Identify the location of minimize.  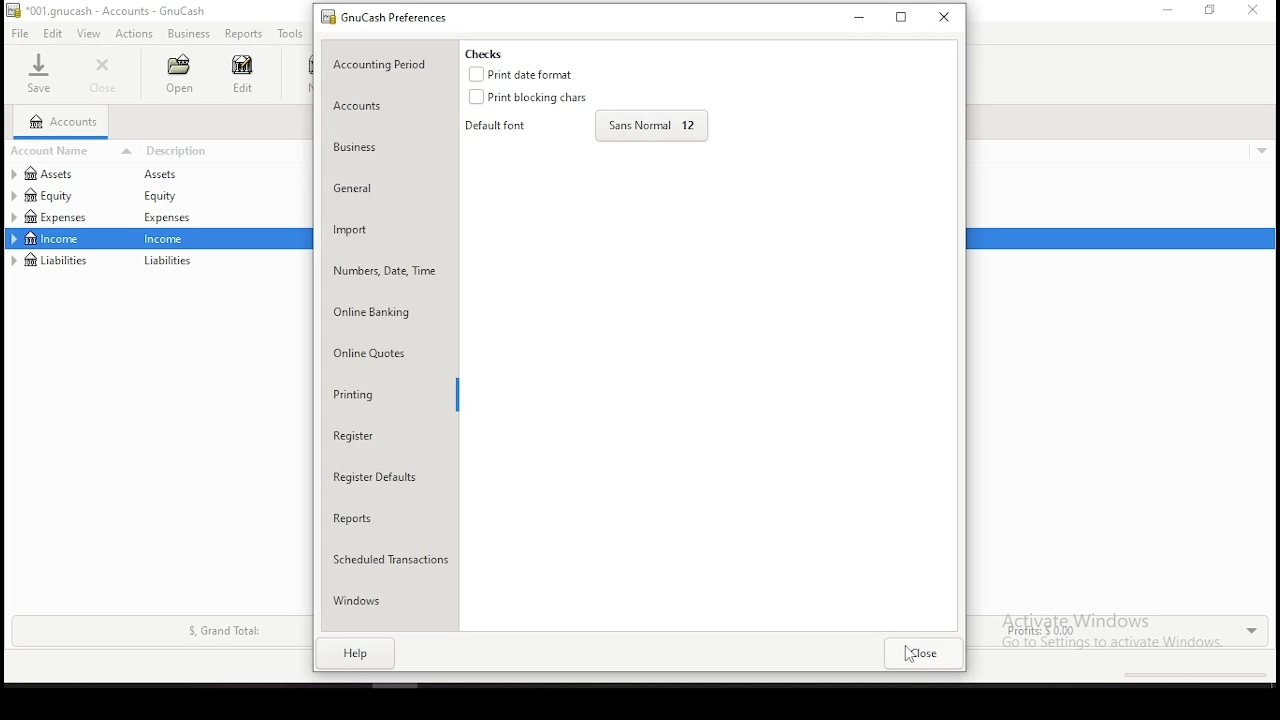
(1165, 10).